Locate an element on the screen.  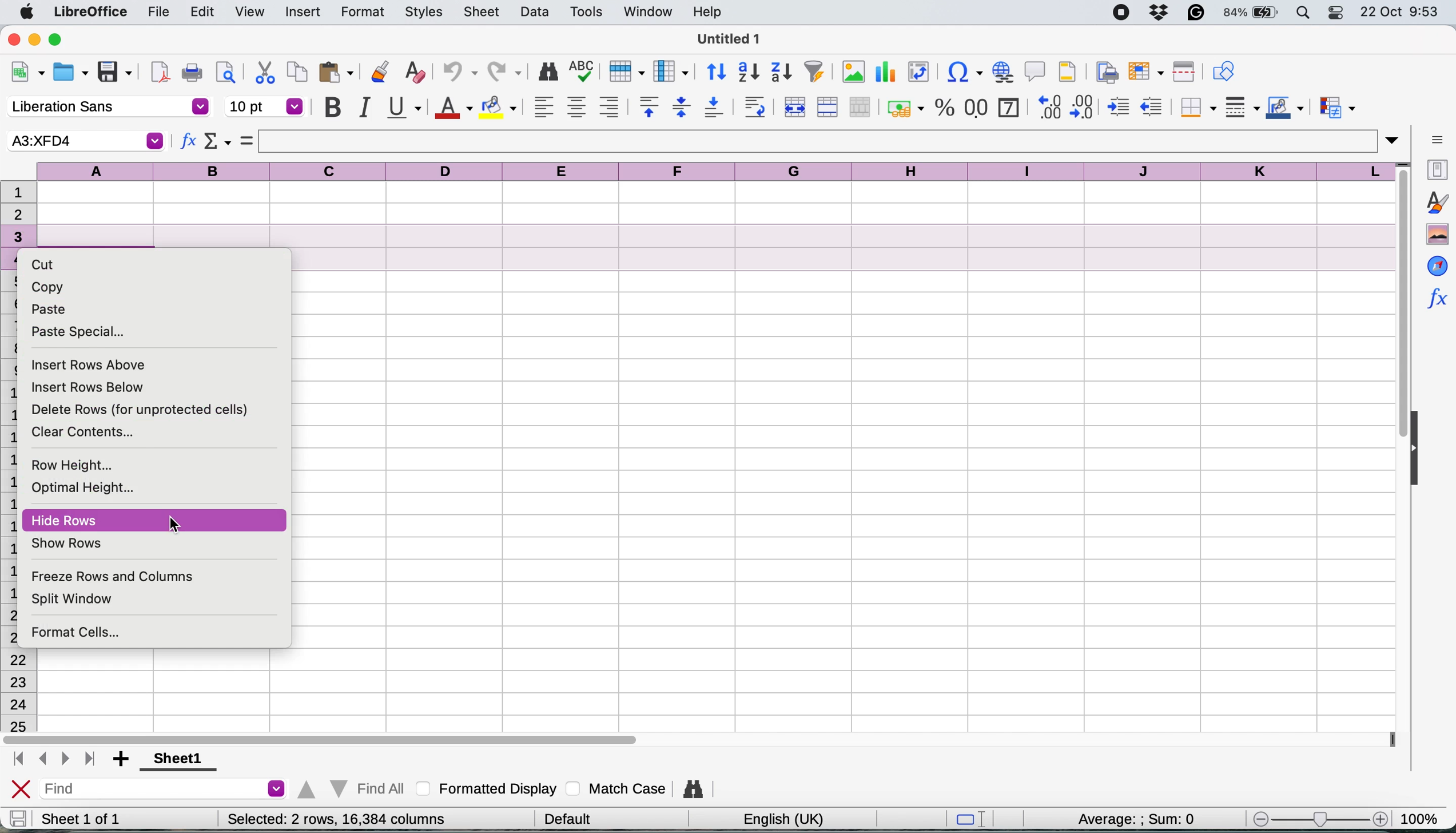
cut is located at coordinates (265, 72).